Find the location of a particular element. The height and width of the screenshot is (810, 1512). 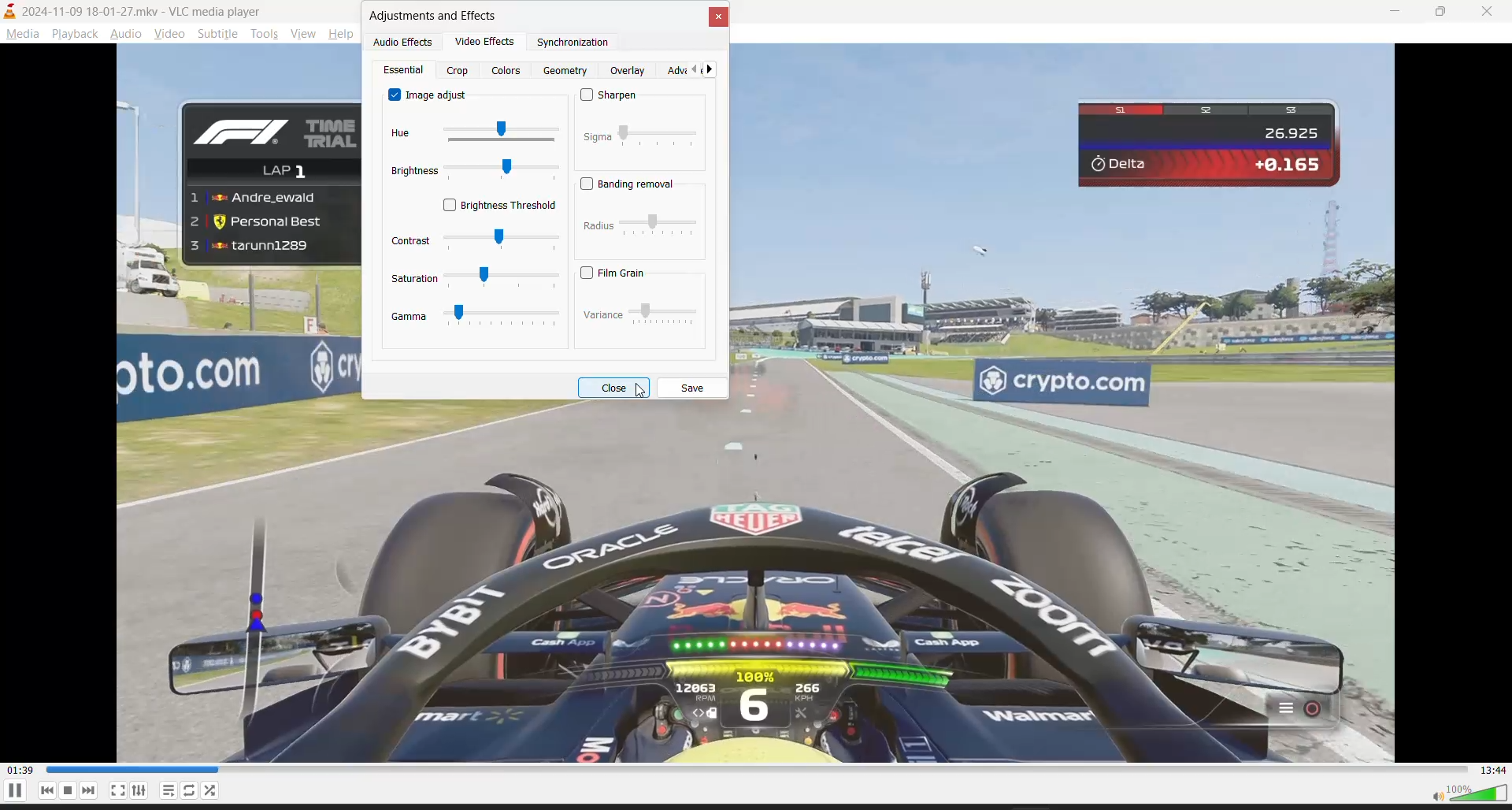

crop is located at coordinates (461, 71).